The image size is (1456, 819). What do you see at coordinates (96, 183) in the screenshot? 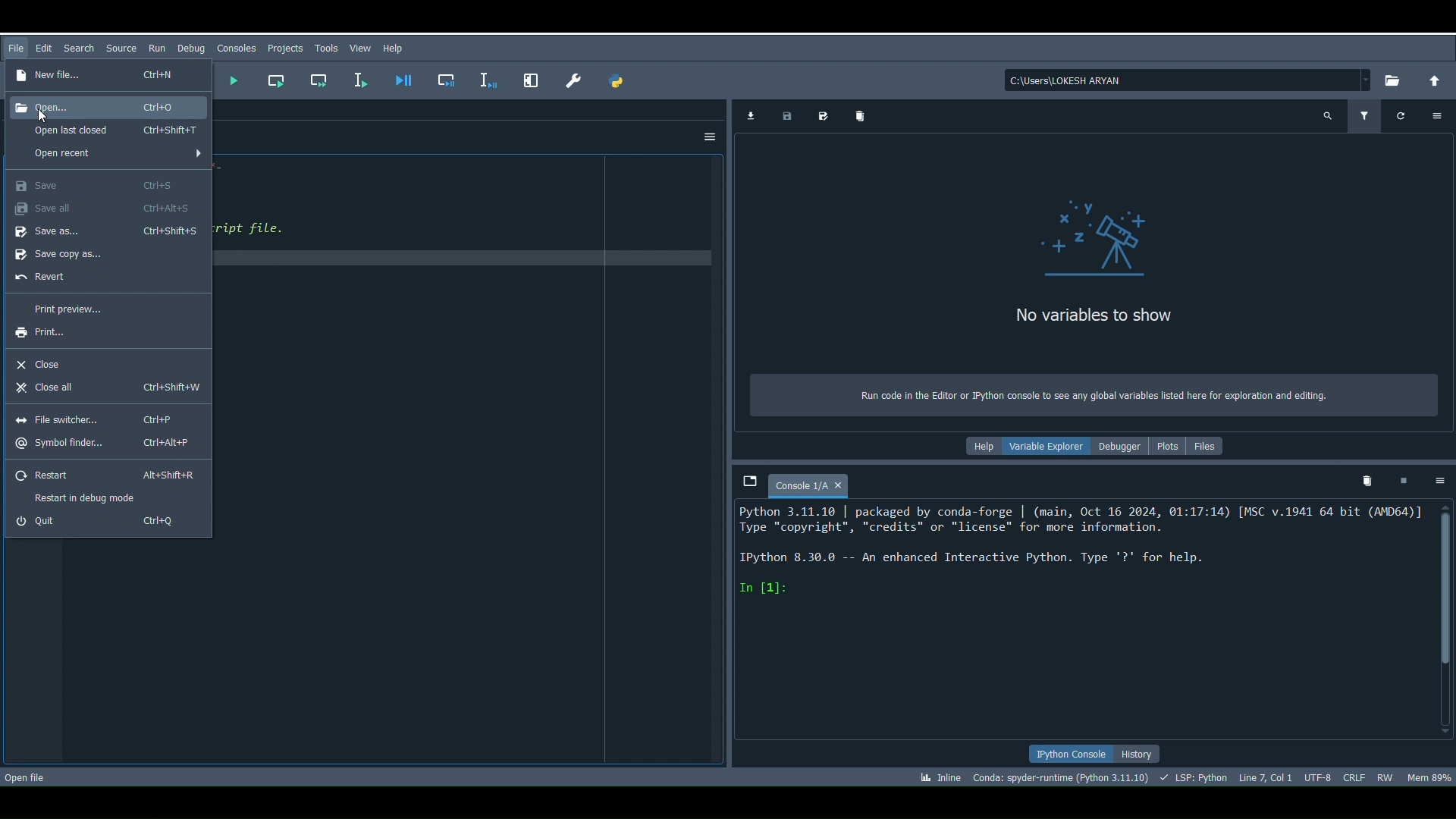
I see `Save` at bounding box center [96, 183].